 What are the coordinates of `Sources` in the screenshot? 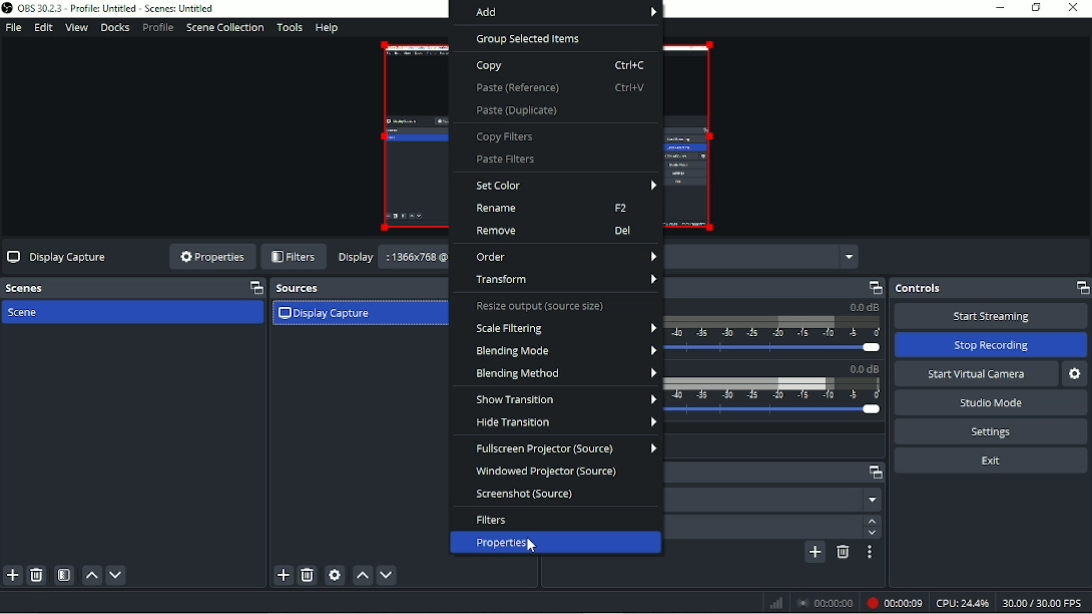 It's located at (353, 288).